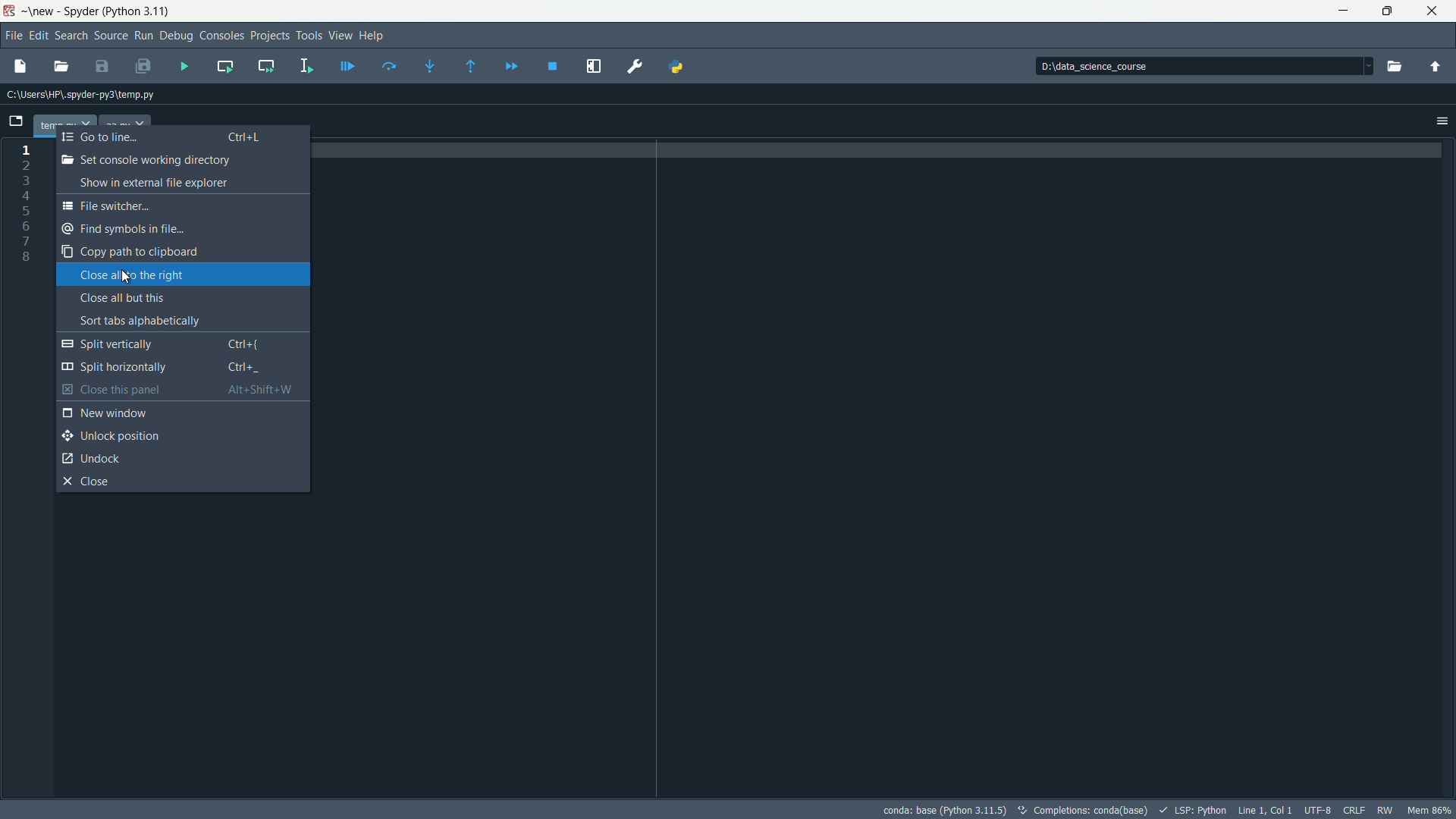 This screenshot has height=819, width=1456. I want to click on preferences, so click(634, 66).